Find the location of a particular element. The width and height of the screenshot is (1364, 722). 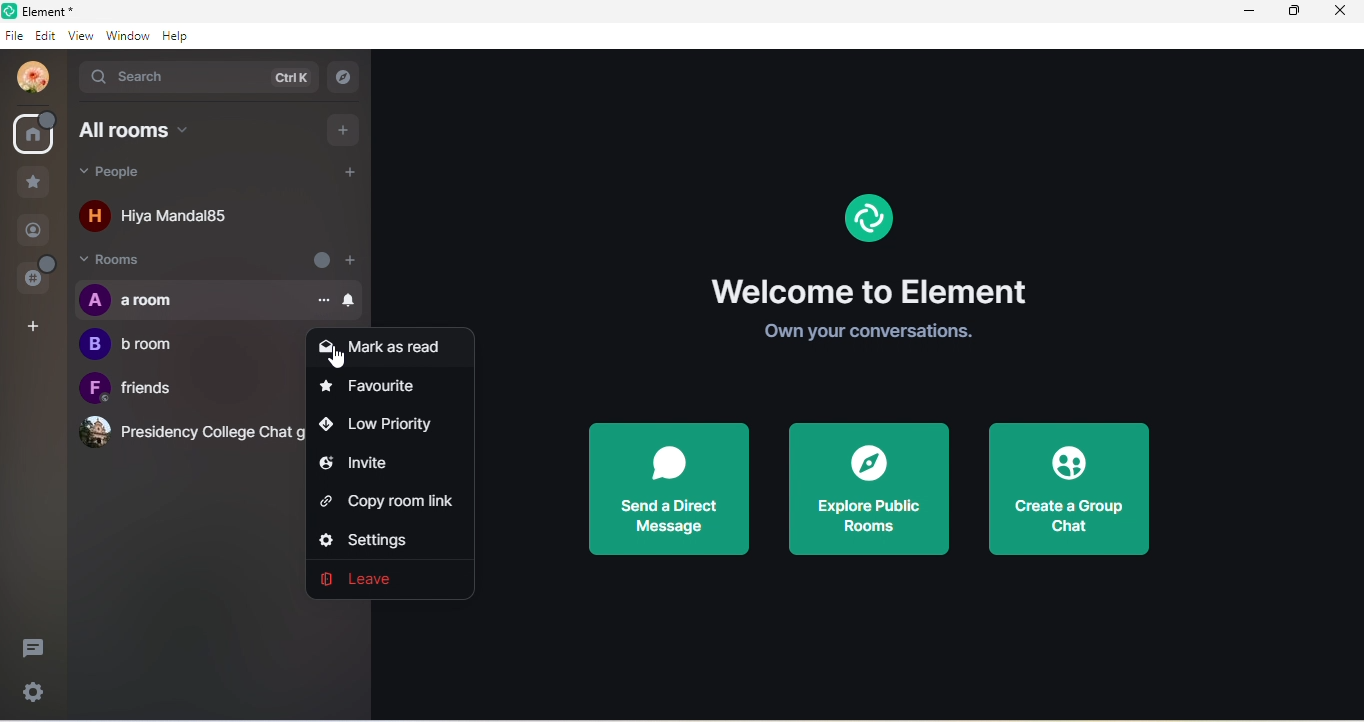

settings is located at coordinates (376, 537).